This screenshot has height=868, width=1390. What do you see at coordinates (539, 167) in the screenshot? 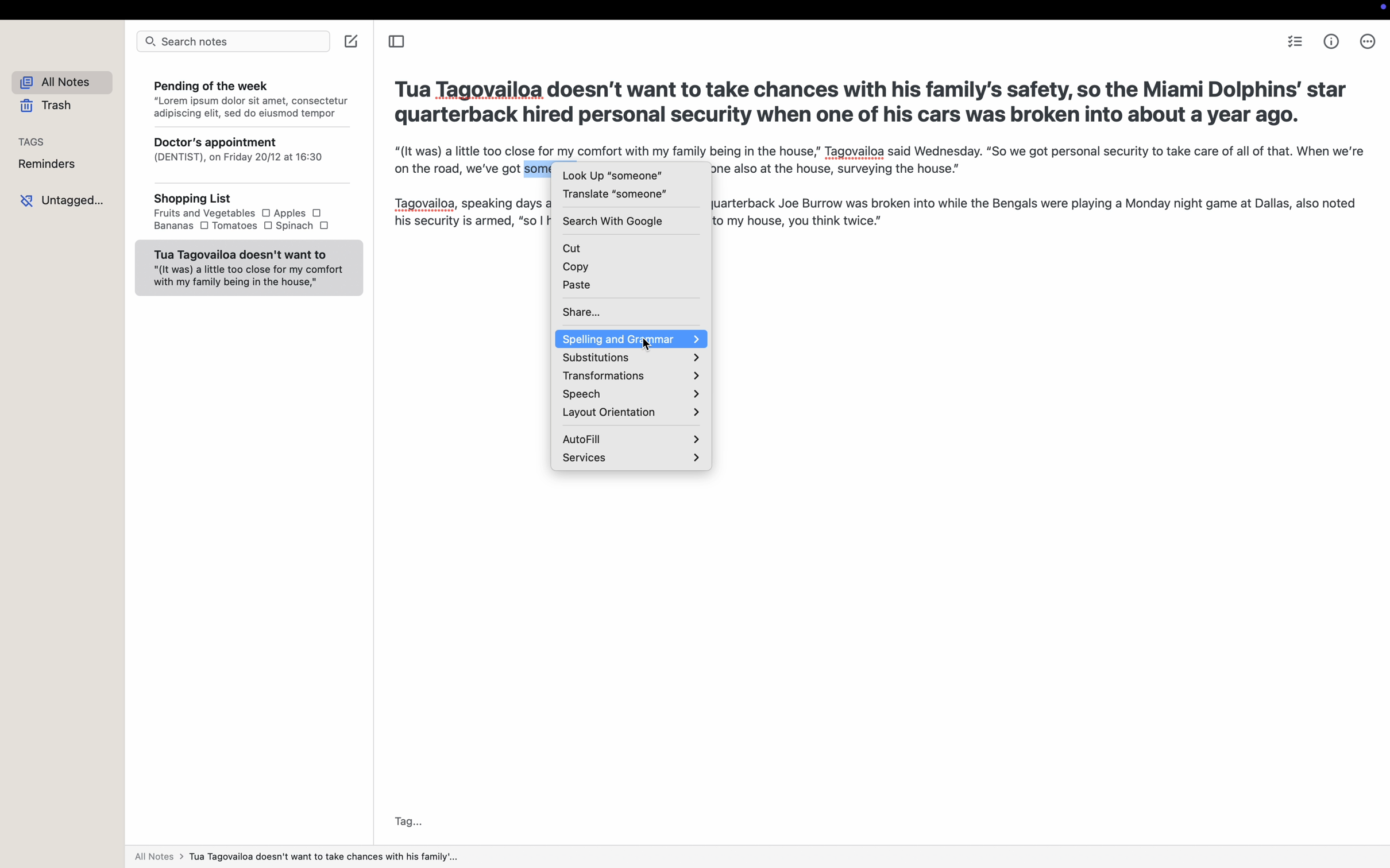
I see `someone` at bounding box center [539, 167].